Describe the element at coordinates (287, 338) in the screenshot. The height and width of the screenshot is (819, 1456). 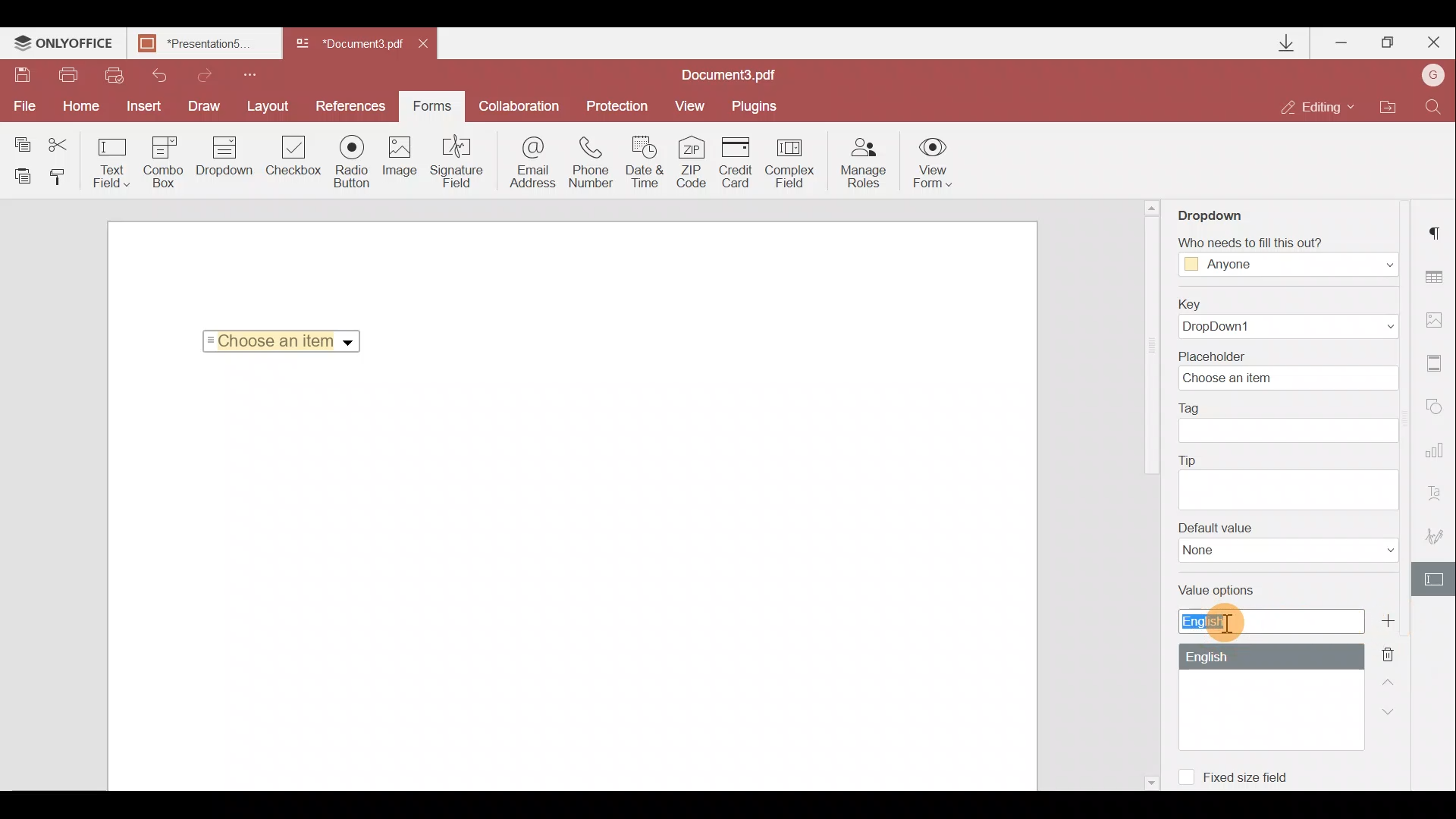
I see `Choose an item ` at that location.